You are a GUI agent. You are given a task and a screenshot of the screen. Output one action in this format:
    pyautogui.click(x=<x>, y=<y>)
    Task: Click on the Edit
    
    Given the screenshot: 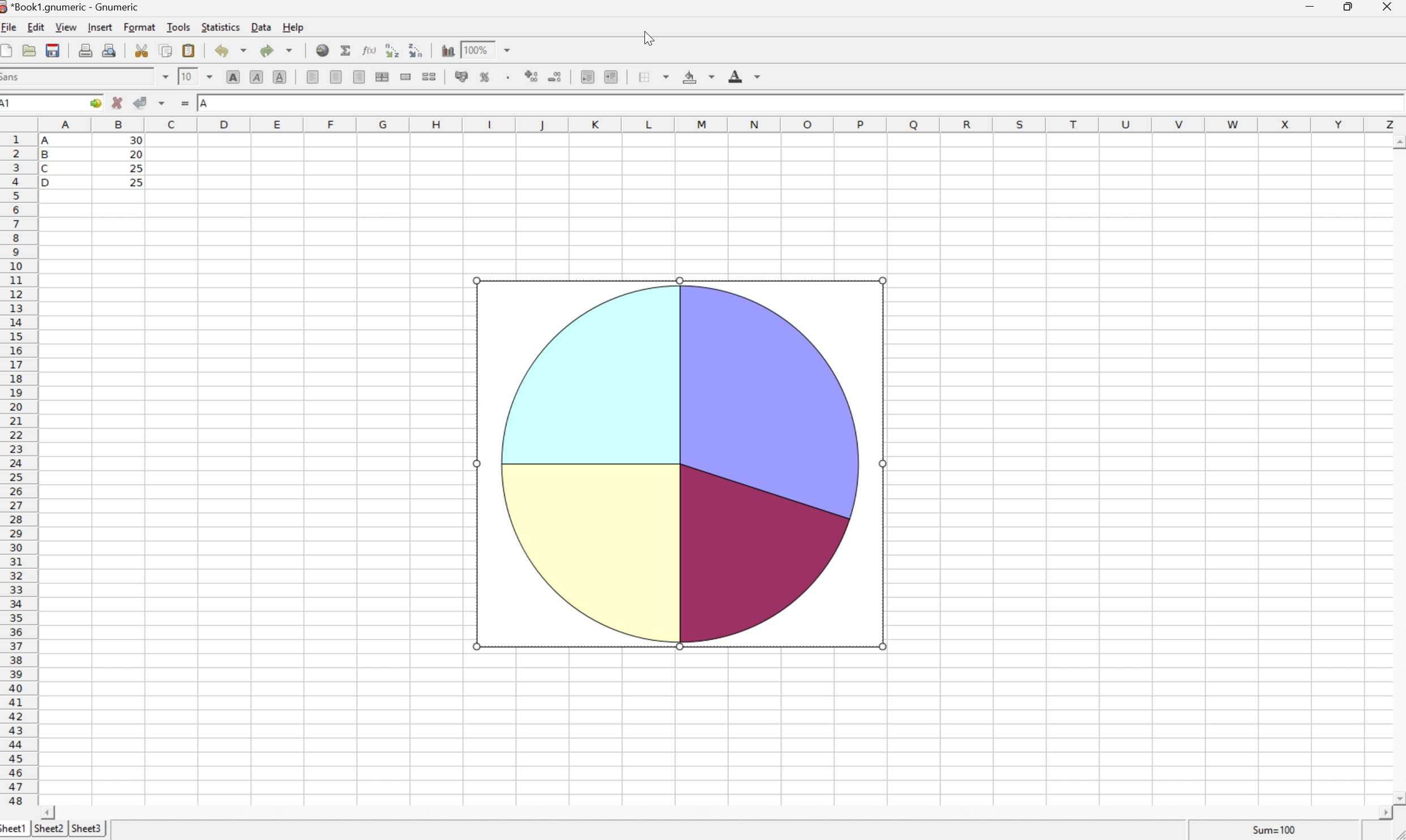 What is the action you would take?
    pyautogui.click(x=36, y=27)
    